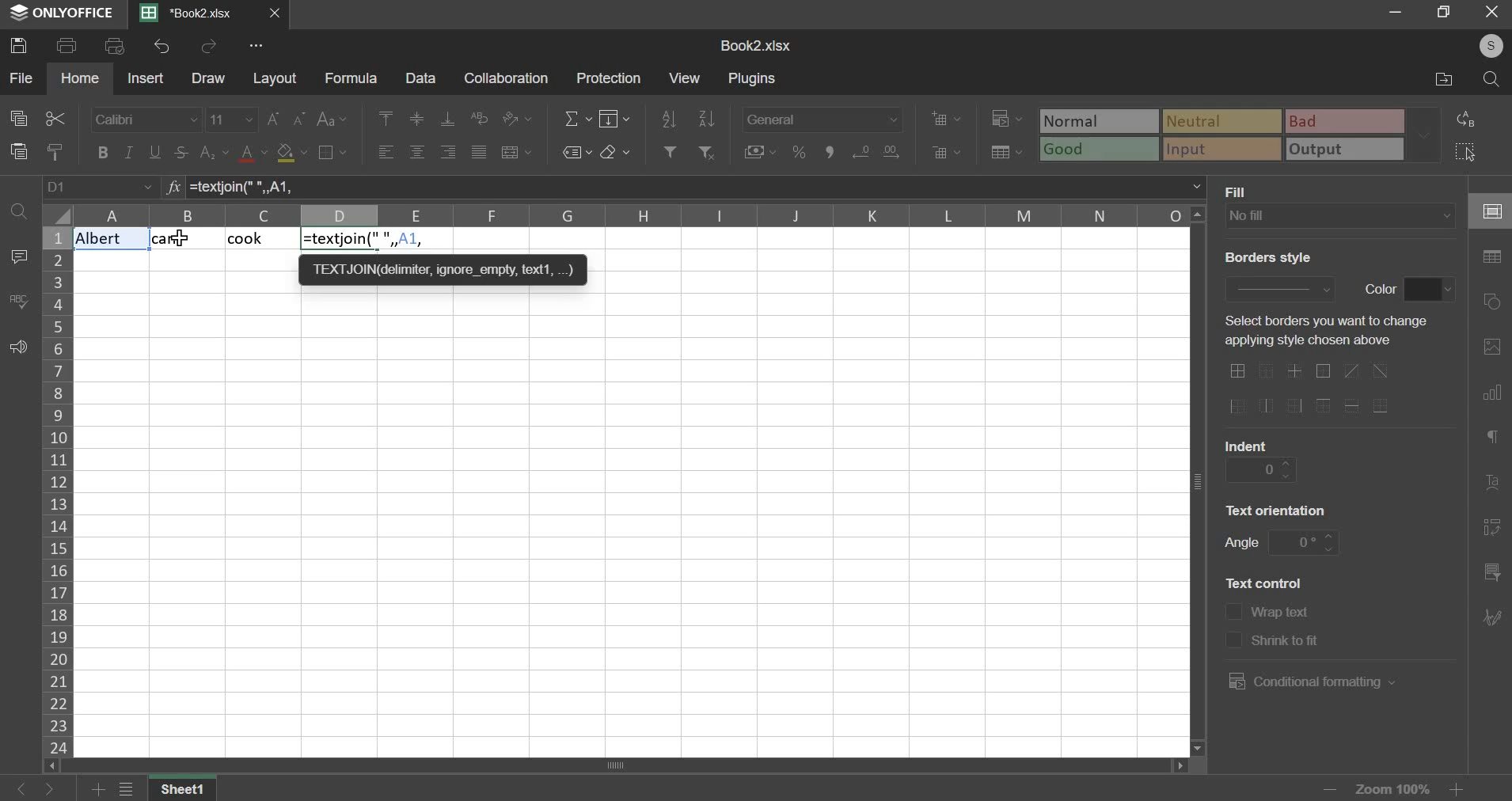 Image resolution: width=1512 pixels, height=801 pixels. Describe the element at coordinates (332, 151) in the screenshot. I see `border` at that location.